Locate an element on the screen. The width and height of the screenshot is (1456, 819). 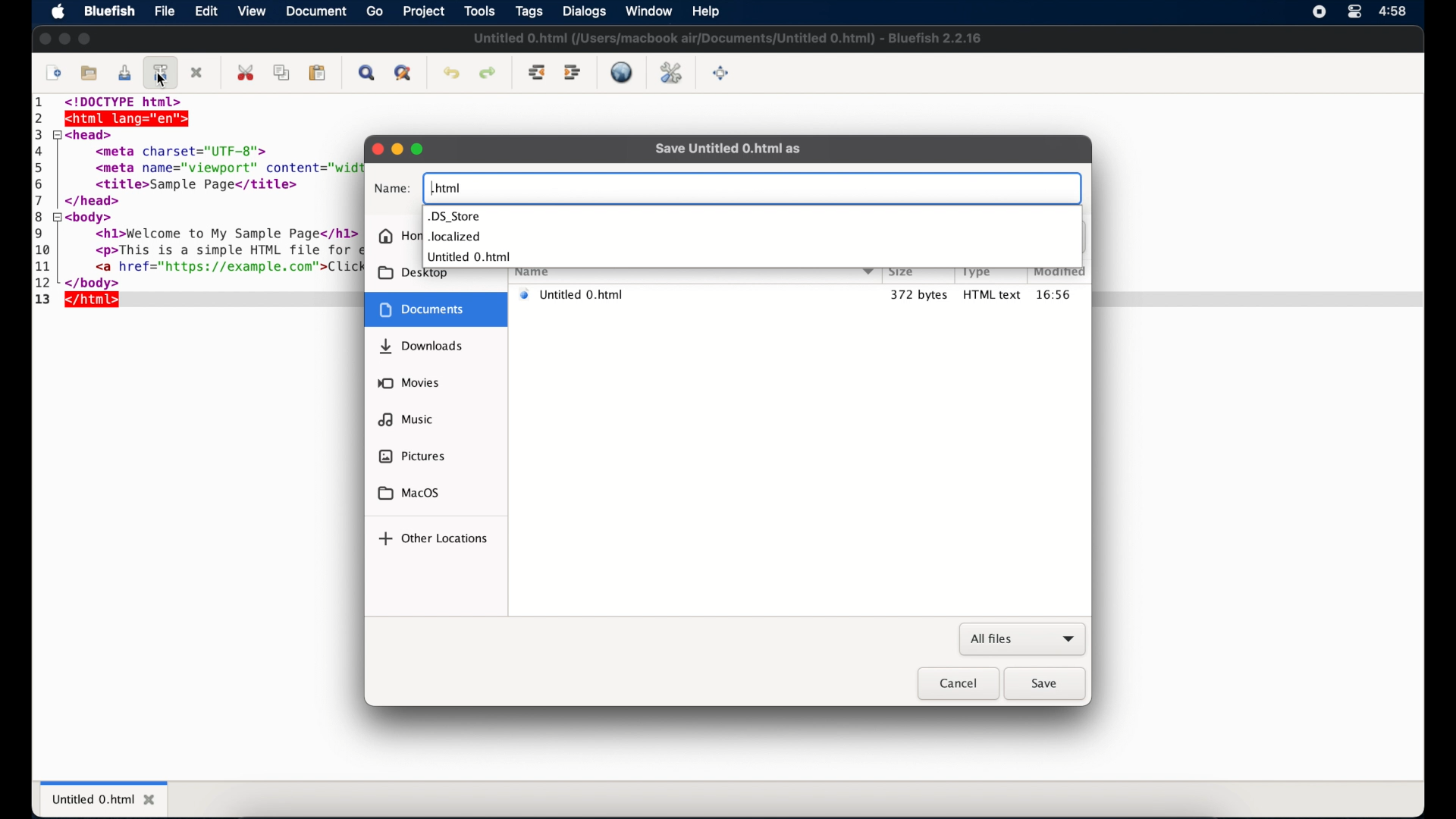
help is located at coordinates (704, 11).